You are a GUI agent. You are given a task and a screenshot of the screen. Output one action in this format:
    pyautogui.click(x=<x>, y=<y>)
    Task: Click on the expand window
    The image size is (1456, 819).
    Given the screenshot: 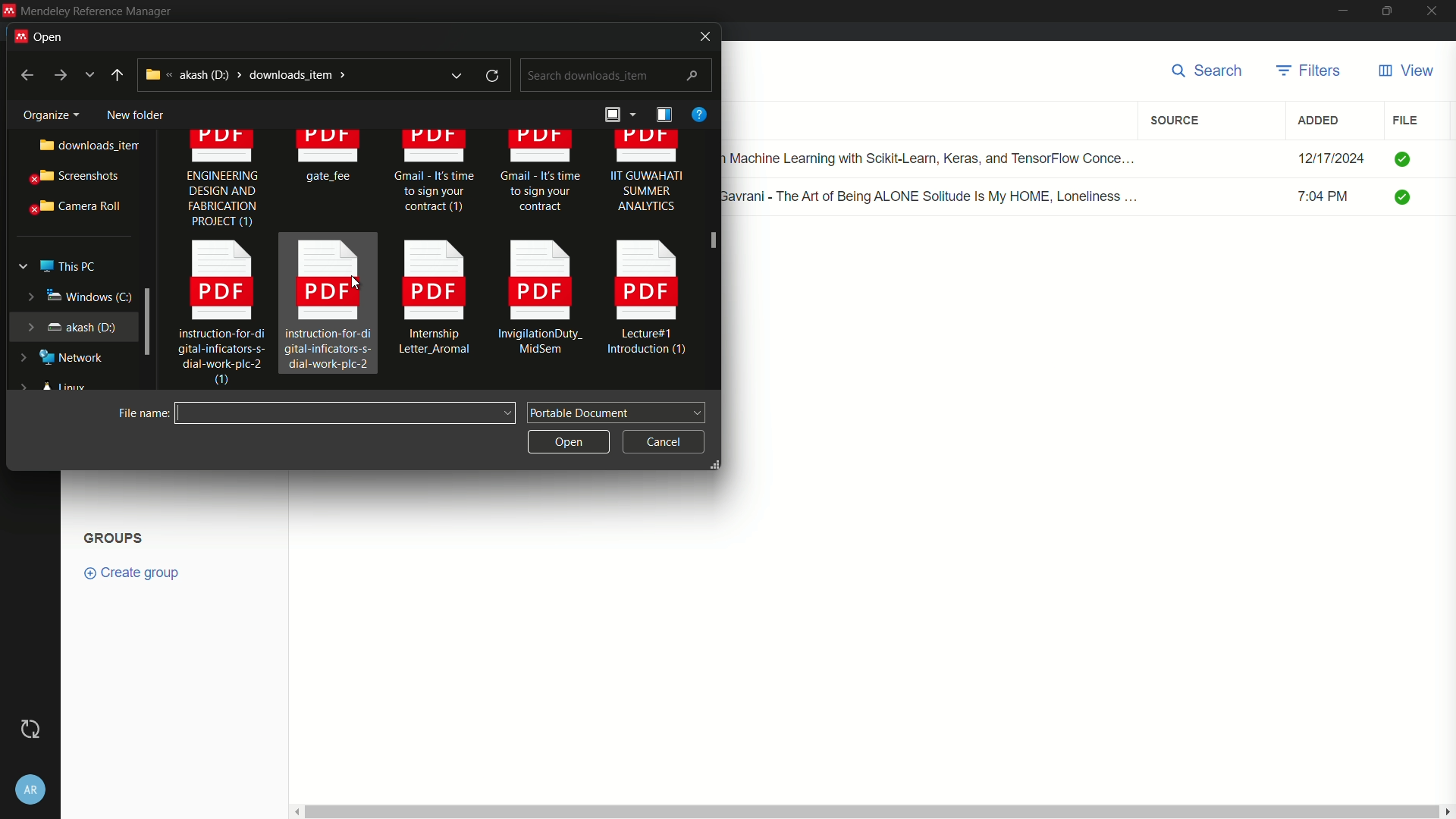 What is the action you would take?
    pyautogui.click(x=149, y=320)
    